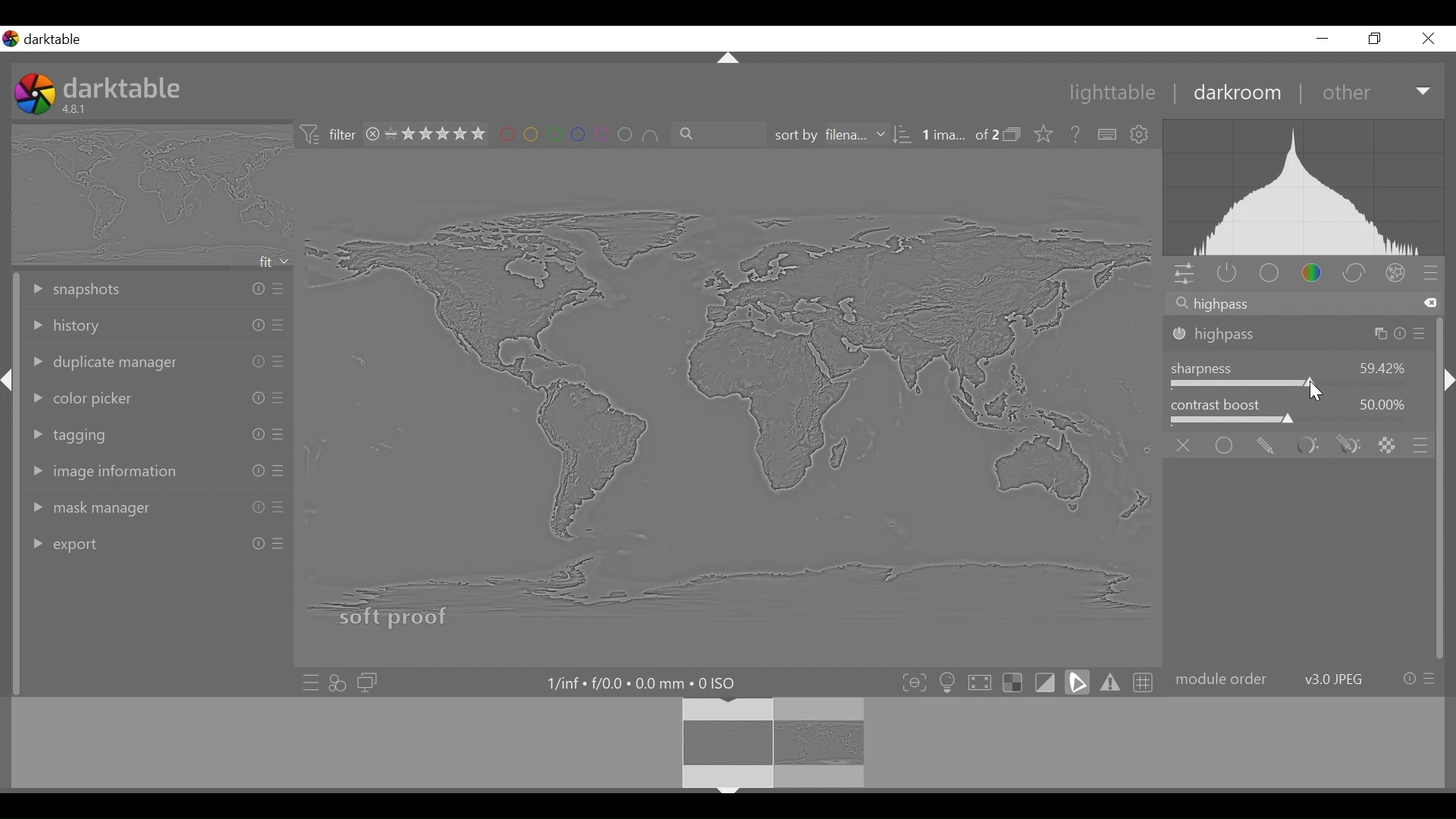 The width and height of the screenshot is (1456, 819). I want to click on display a second darkroom image window, so click(370, 682).